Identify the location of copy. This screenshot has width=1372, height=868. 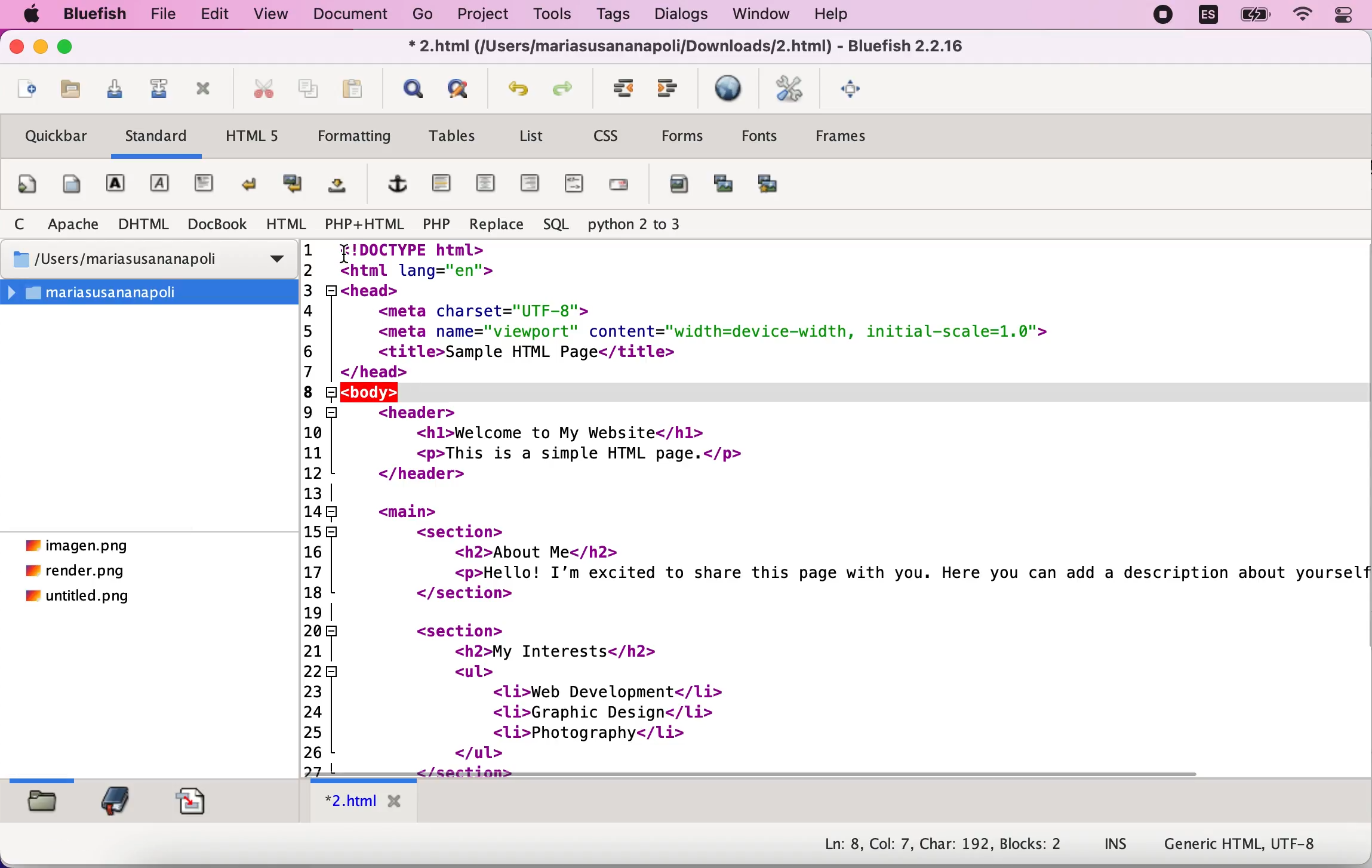
(308, 84).